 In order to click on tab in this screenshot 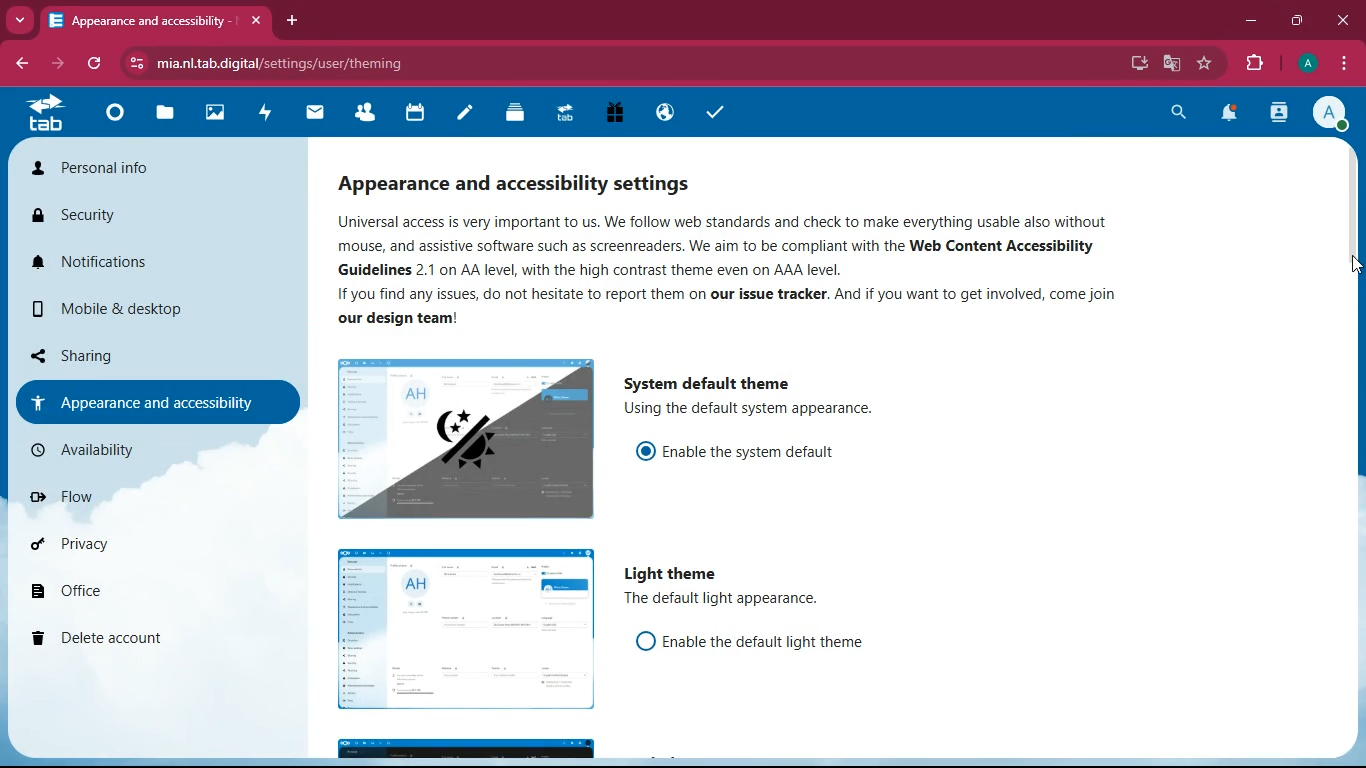, I will do `click(137, 21)`.